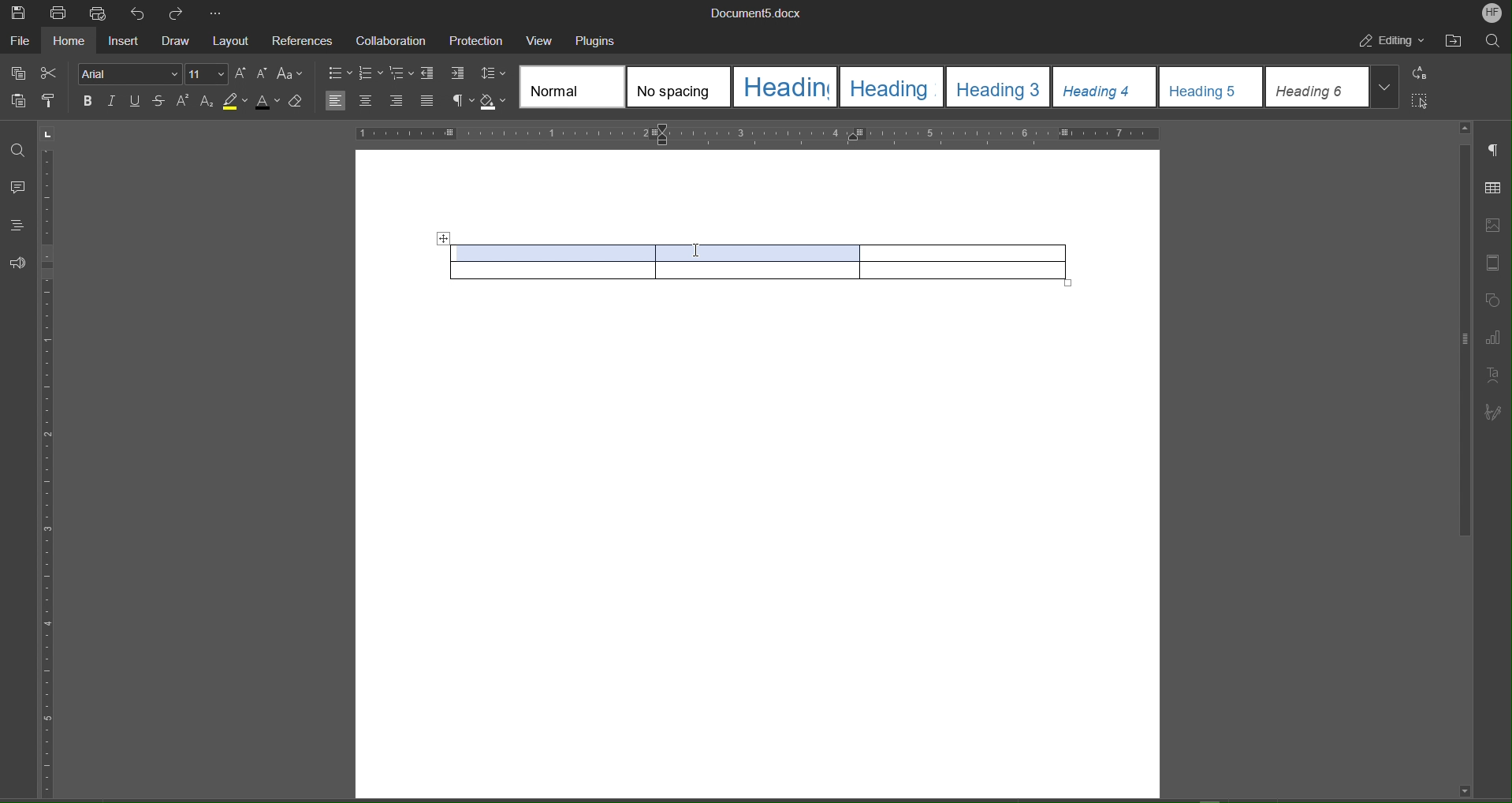 Image resolution: width=1512 pixels, height=803 pixels. I want to click on heading 5, so click(1212, 87).